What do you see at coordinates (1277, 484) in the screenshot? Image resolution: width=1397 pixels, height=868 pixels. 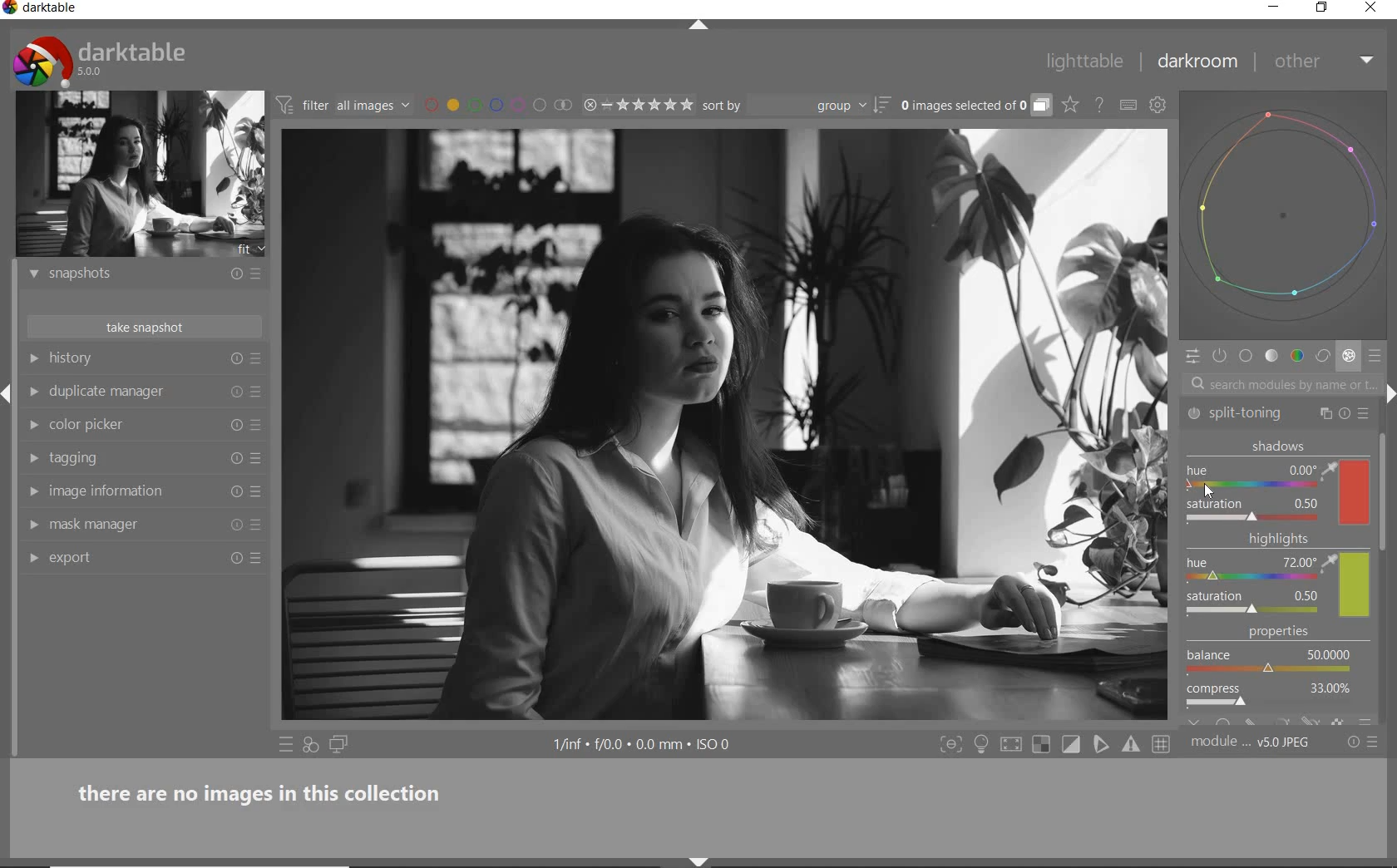 I see `shadows` at bounding box center [1277, 484].